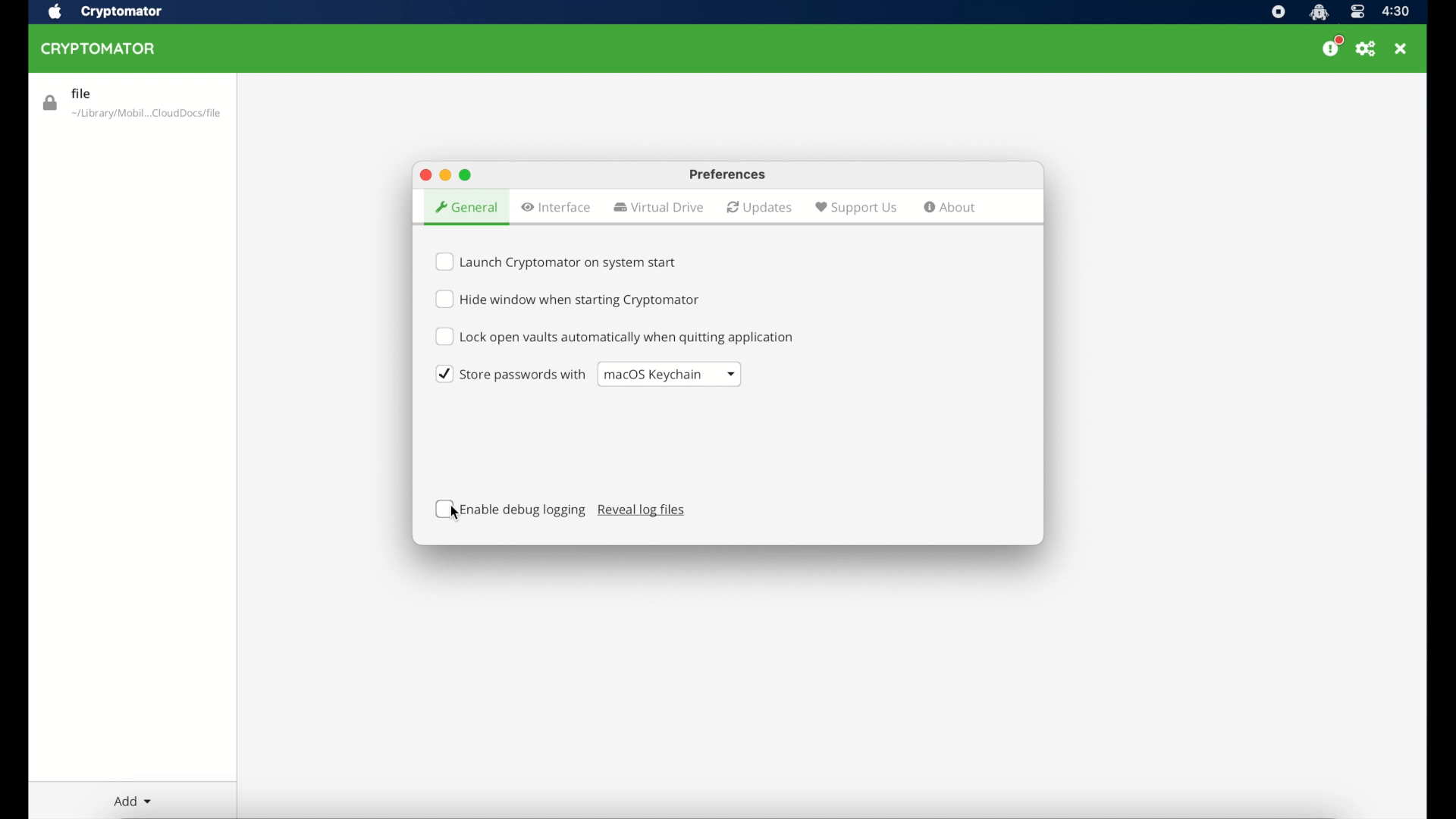 Image resolution: width=1456 pixels, height=819 pixels. Describe the element at coordinates (506, 375) in the screenshot. I see `Store passwords with` at that location.